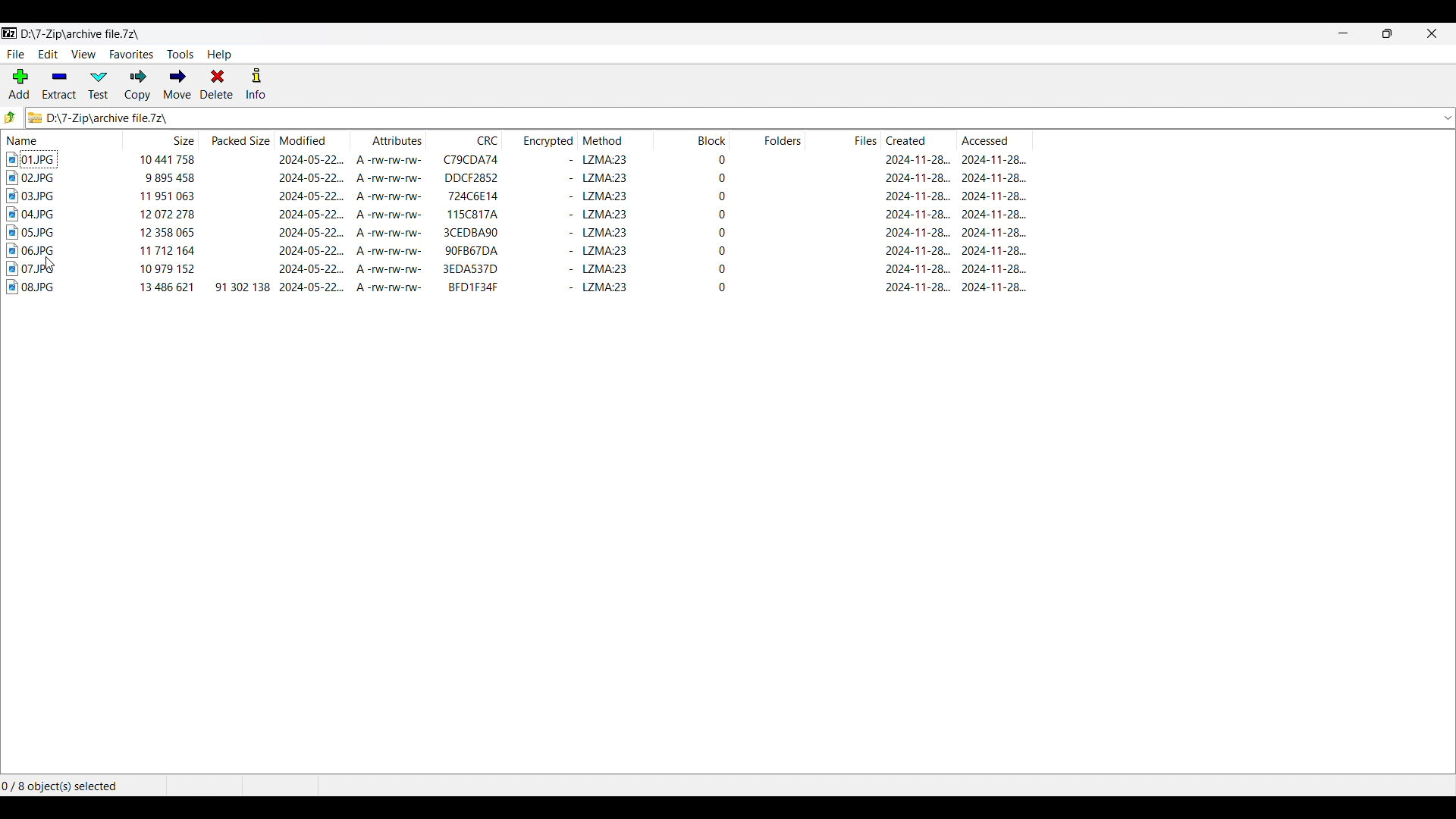  Describe the element at coordinates (236, 140) in the screenshot. I see `Packed size column` at that location.